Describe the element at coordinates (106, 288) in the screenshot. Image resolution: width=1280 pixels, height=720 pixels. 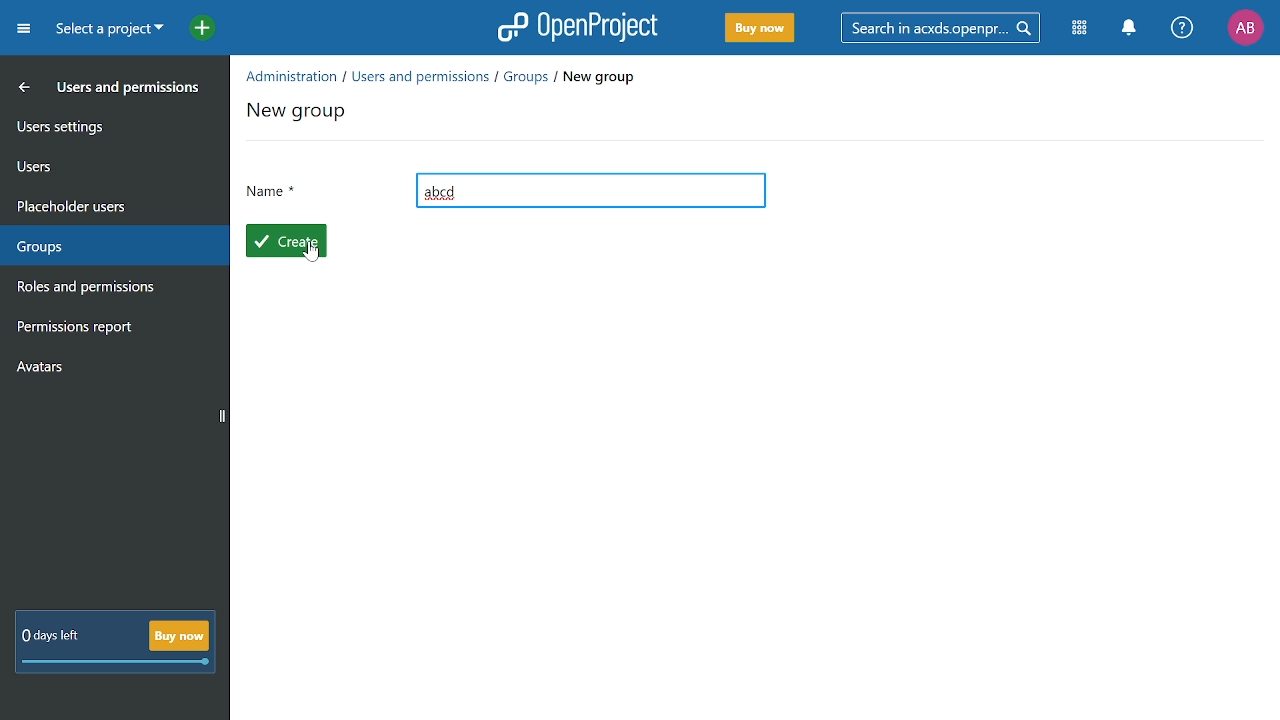
I see `roles and permissions` at that location.